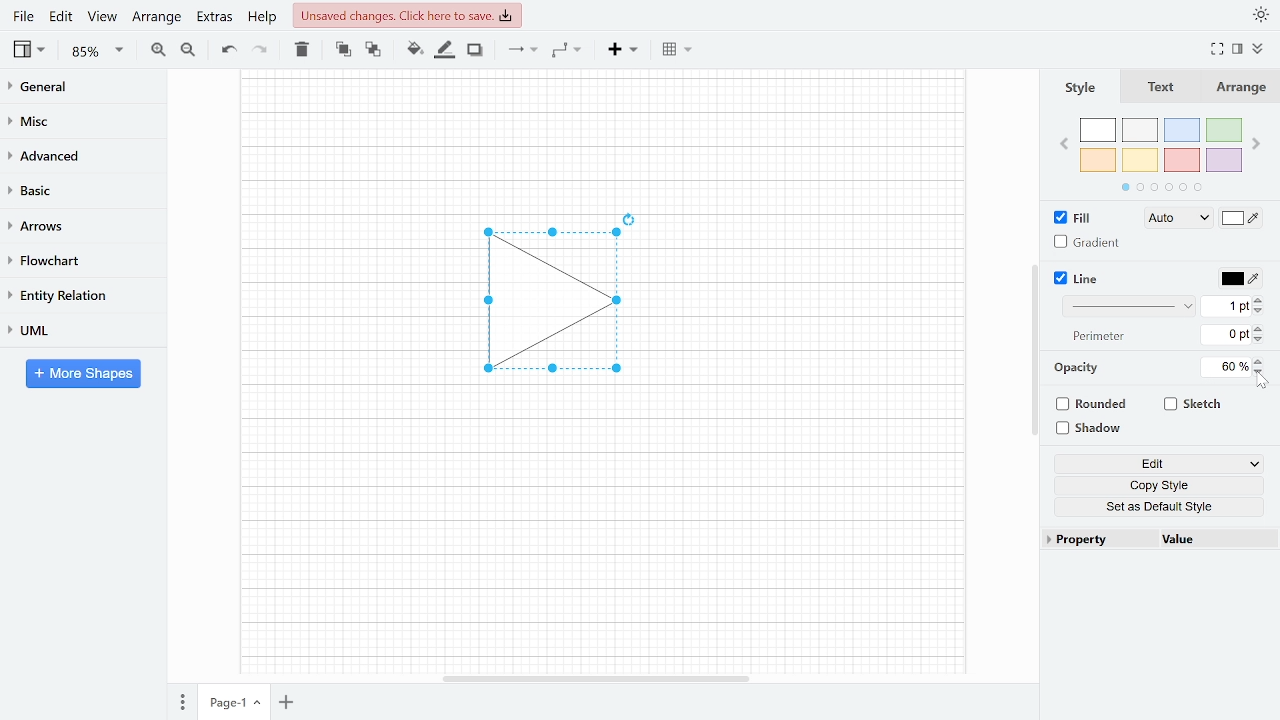 This screenshot has height=720, width=1280. I want to click on red, so click(1182, 161).